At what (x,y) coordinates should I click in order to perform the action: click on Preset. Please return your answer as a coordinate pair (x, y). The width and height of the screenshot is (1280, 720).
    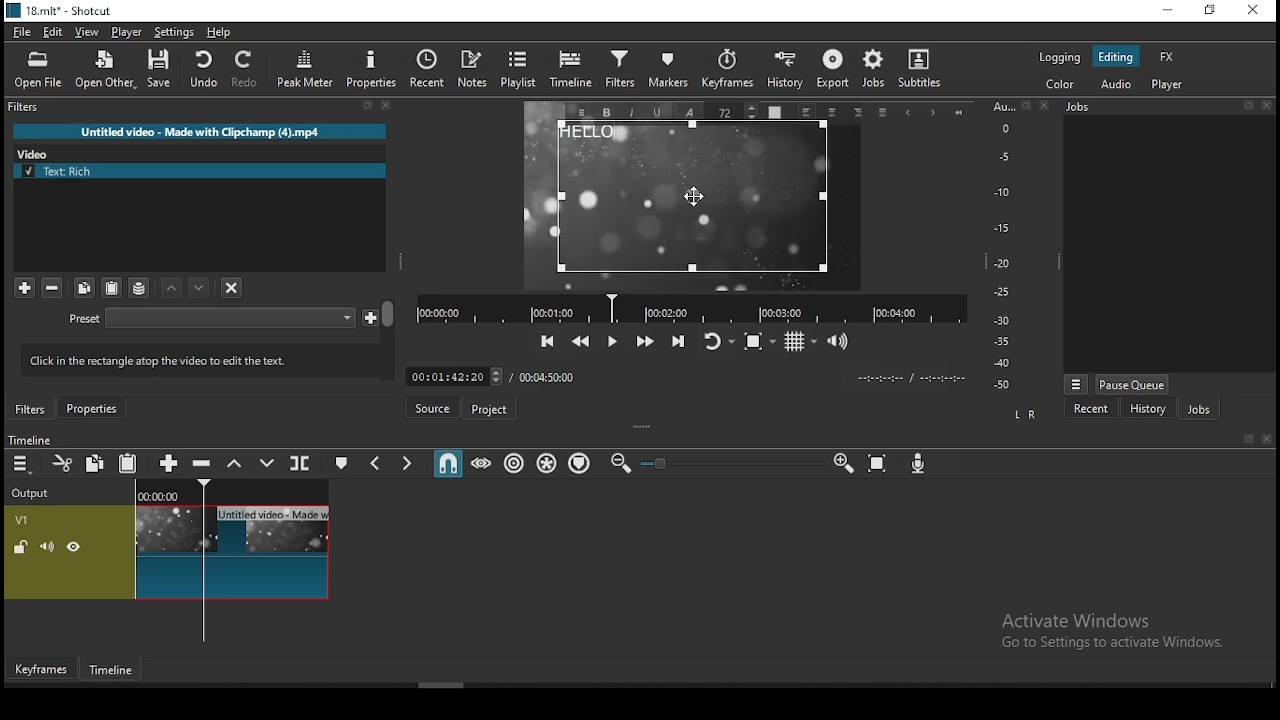
    Looking at the image, I should click on (85, 320).